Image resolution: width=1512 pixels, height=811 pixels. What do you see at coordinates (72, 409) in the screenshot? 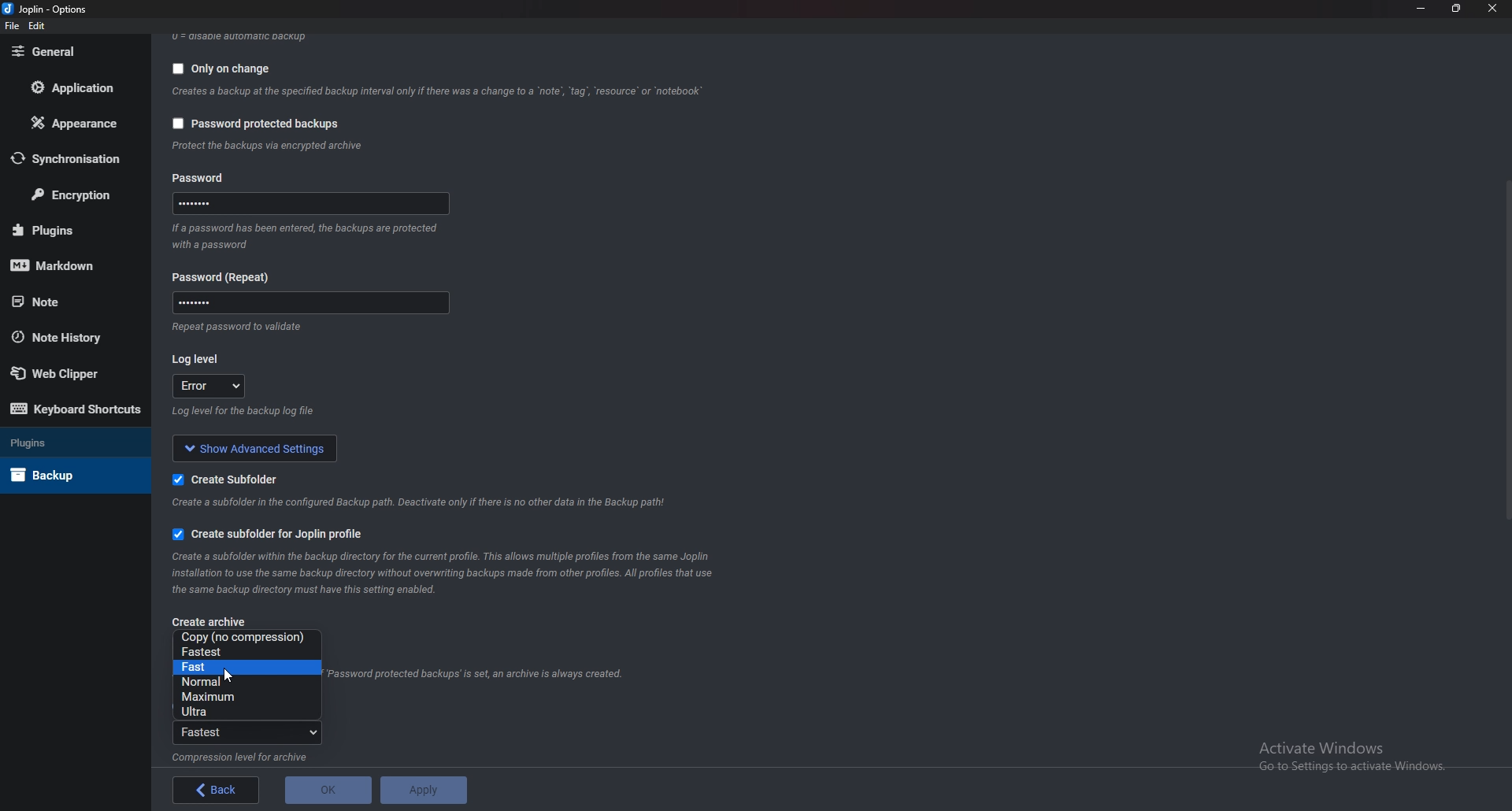
I see `Keyboard shortcuts` at bounding box center [72, 409].